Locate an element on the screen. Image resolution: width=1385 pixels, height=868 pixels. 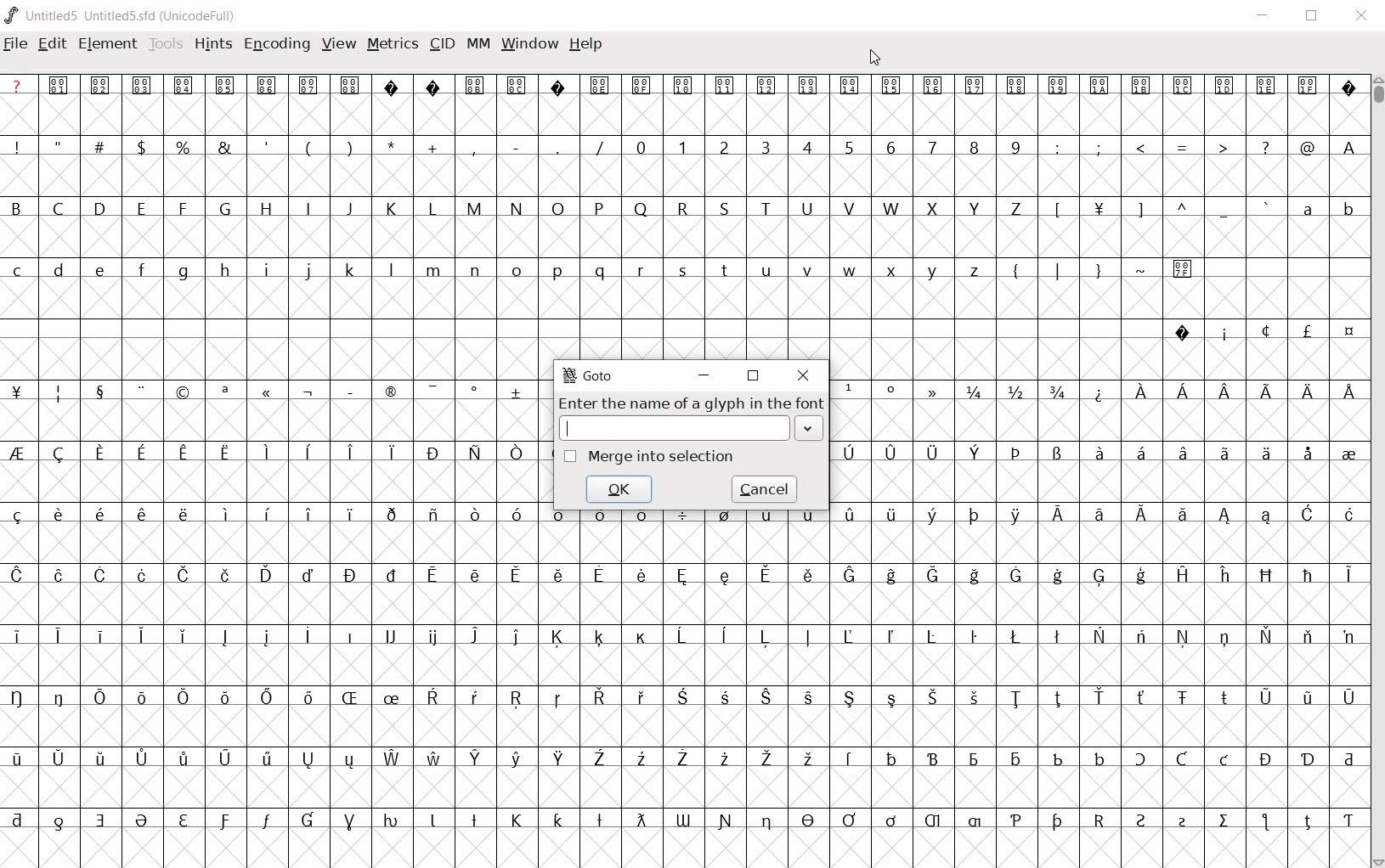
8 is located at coordinates (973, 148).